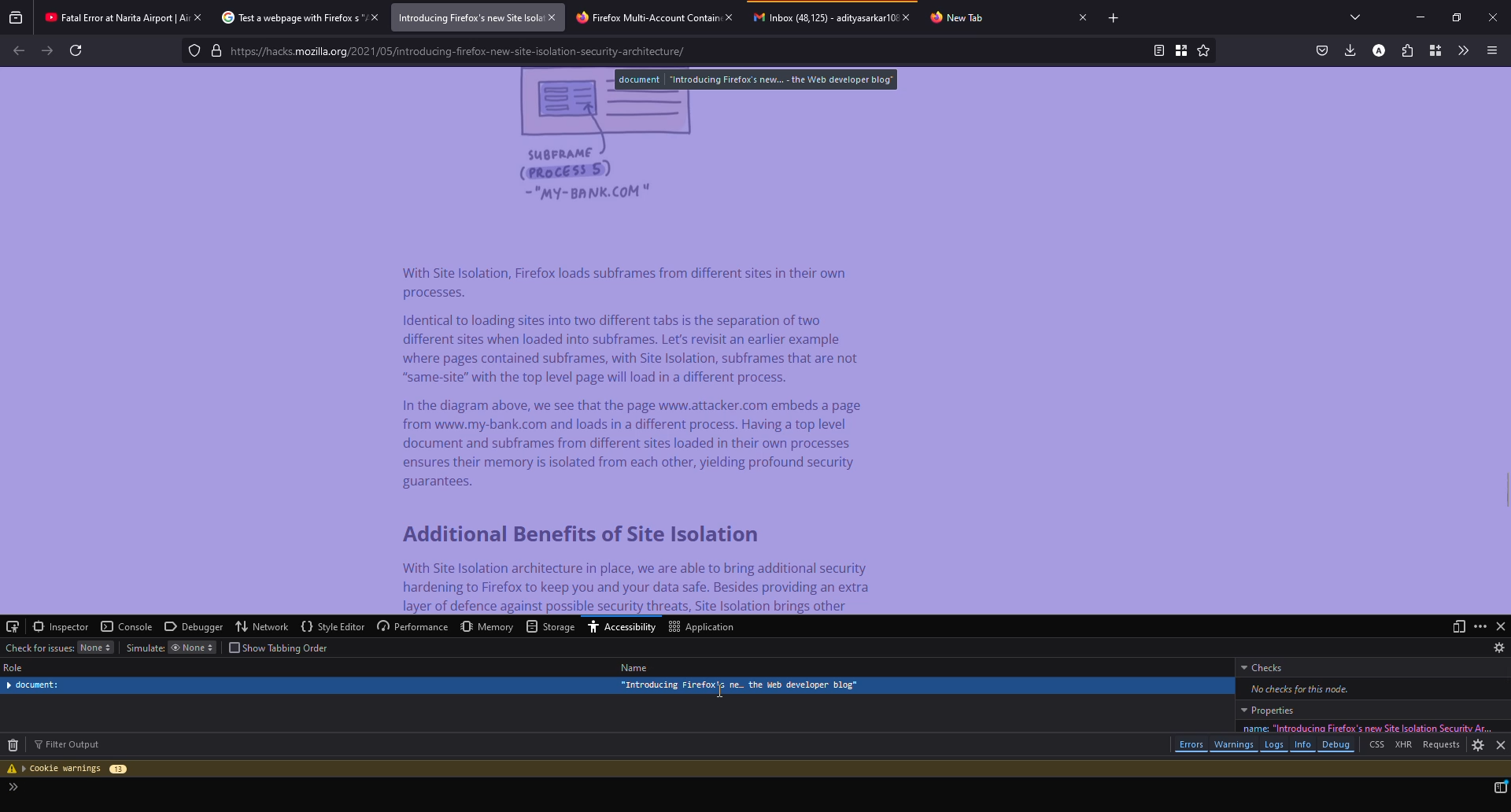 The image size is (1511, 812). What do you see at coordinates (1377, 50) in the screenshot?
I see `profile` at bounding box center [1377, 50].